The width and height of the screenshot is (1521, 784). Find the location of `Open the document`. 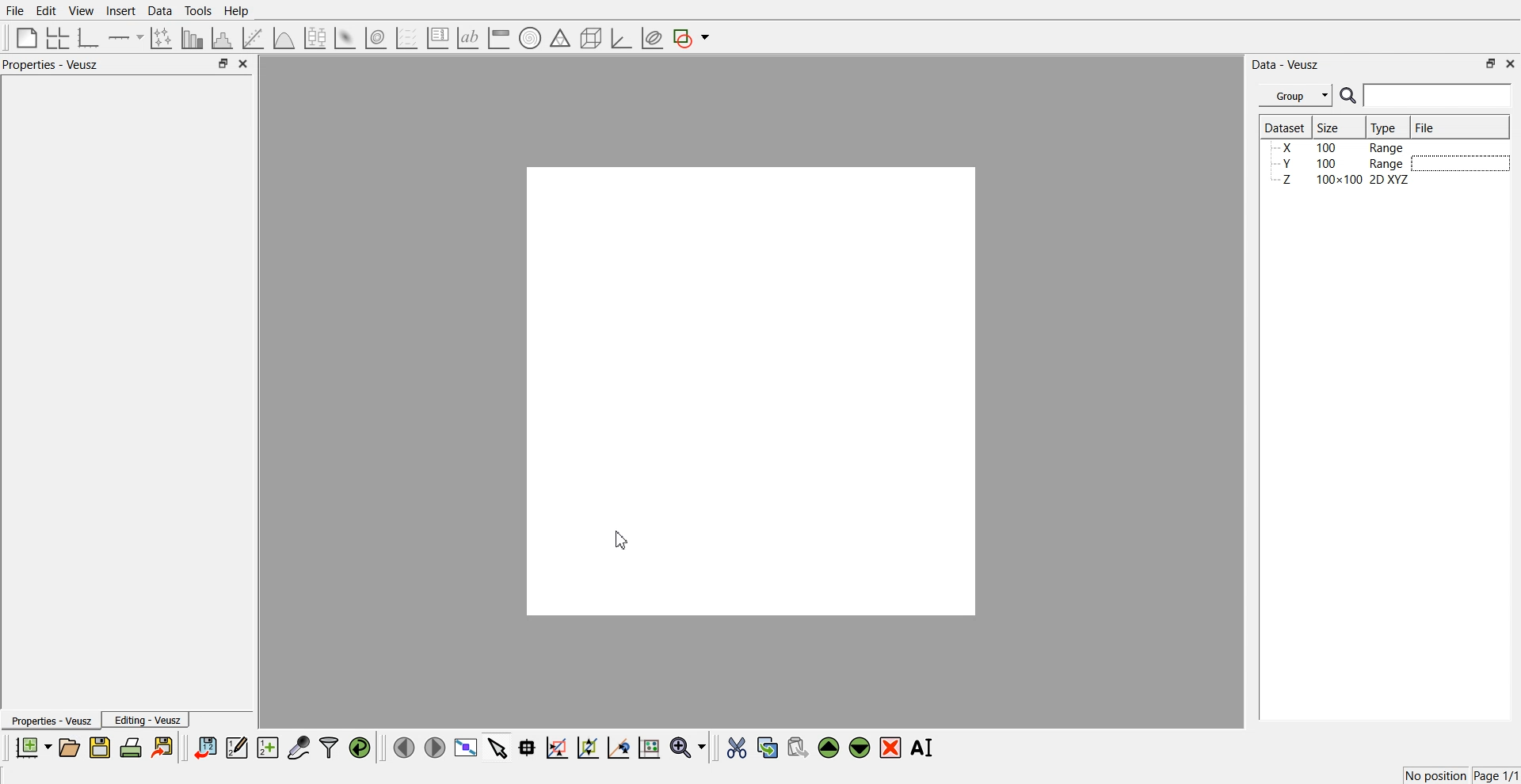

Open the document is located at coordinates (68, 748).